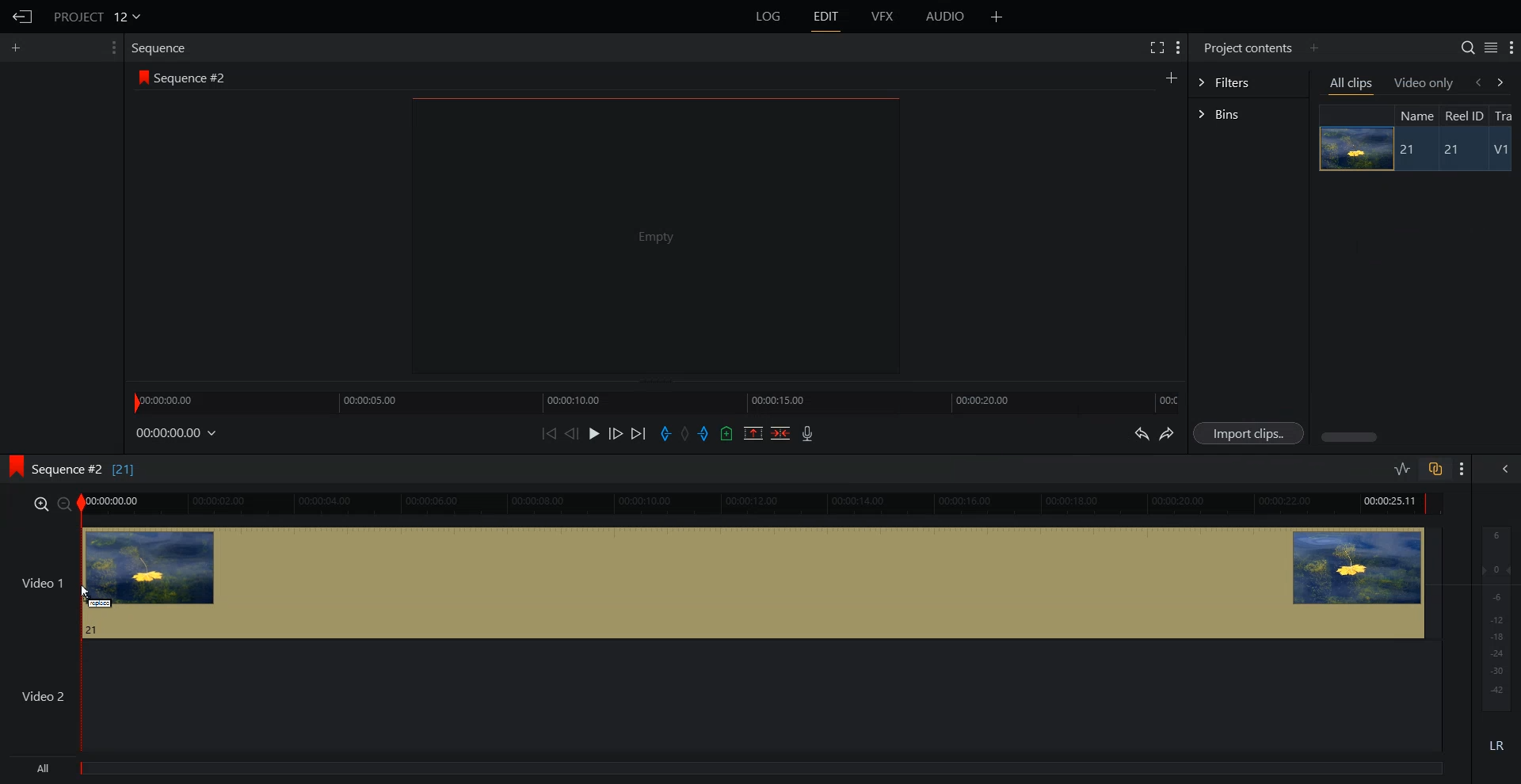 Image resolution: width=1521 pixels, height=784 pixels. What do you see at coordinates (726, 433) in the screenshot?
I see `Add an Cue at the current position` at bounding box center [726, 433].